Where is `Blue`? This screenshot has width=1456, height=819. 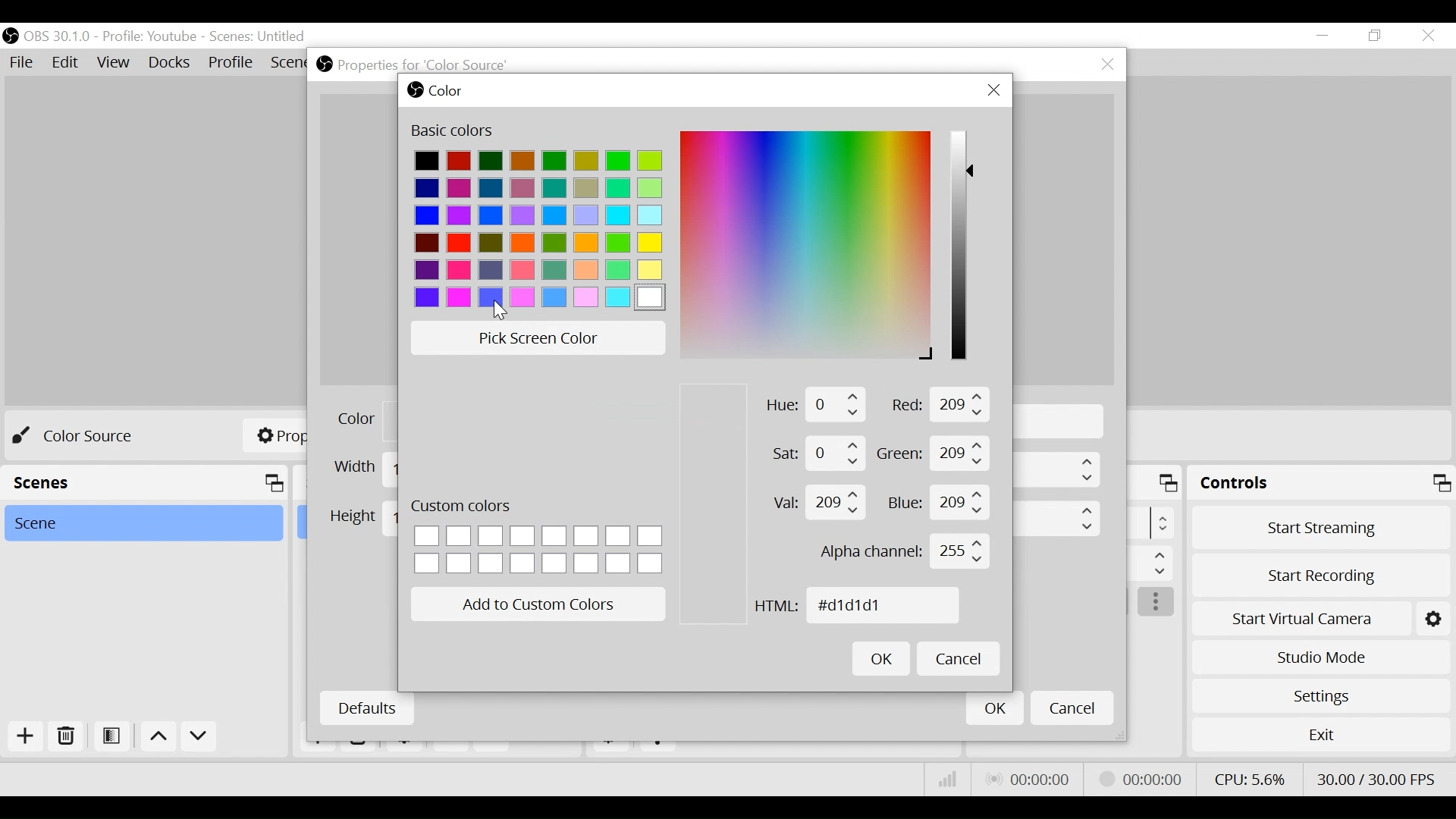
Blue is located at coordinates (934, 503).